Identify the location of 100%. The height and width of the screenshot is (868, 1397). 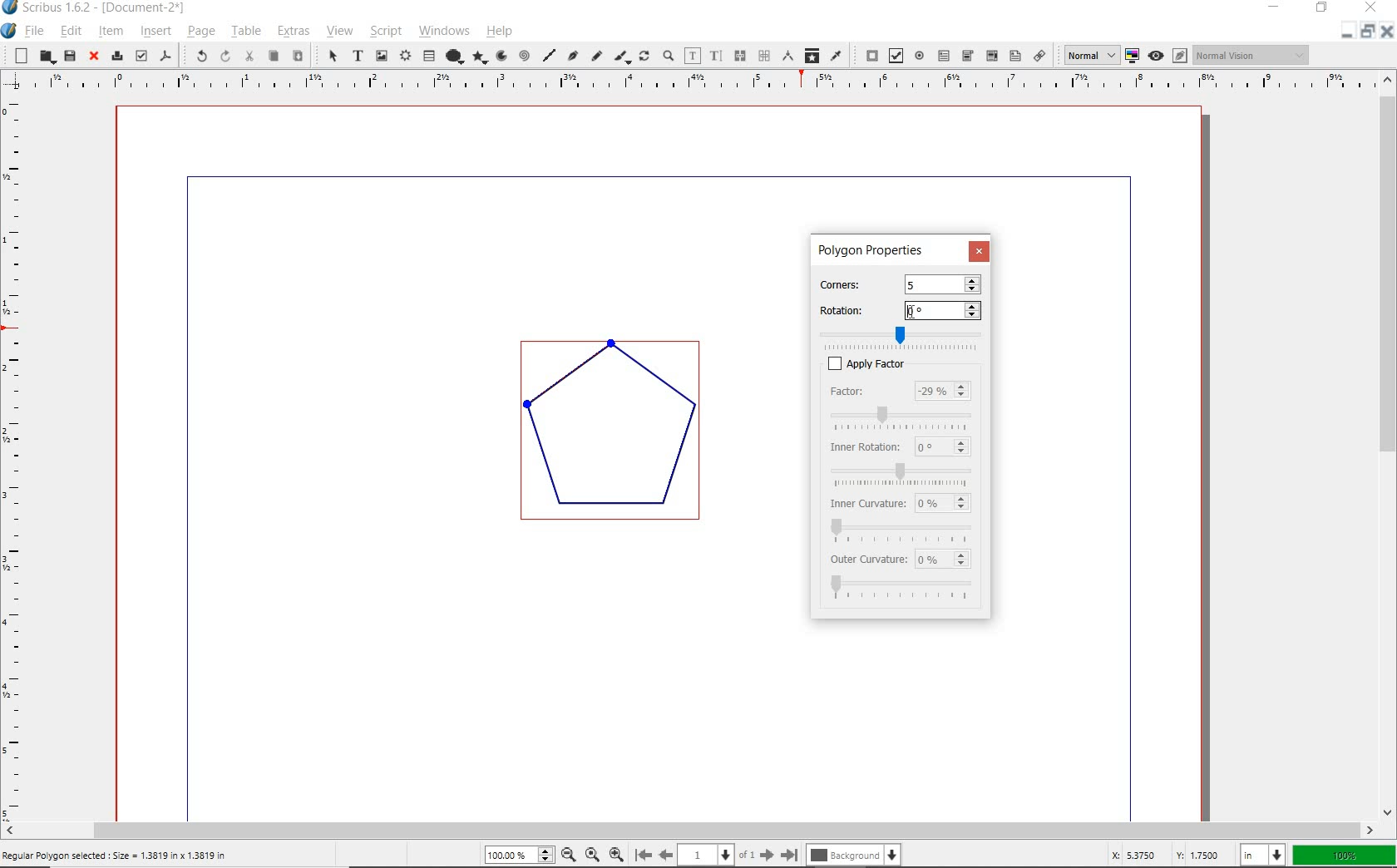
(1341, 854).